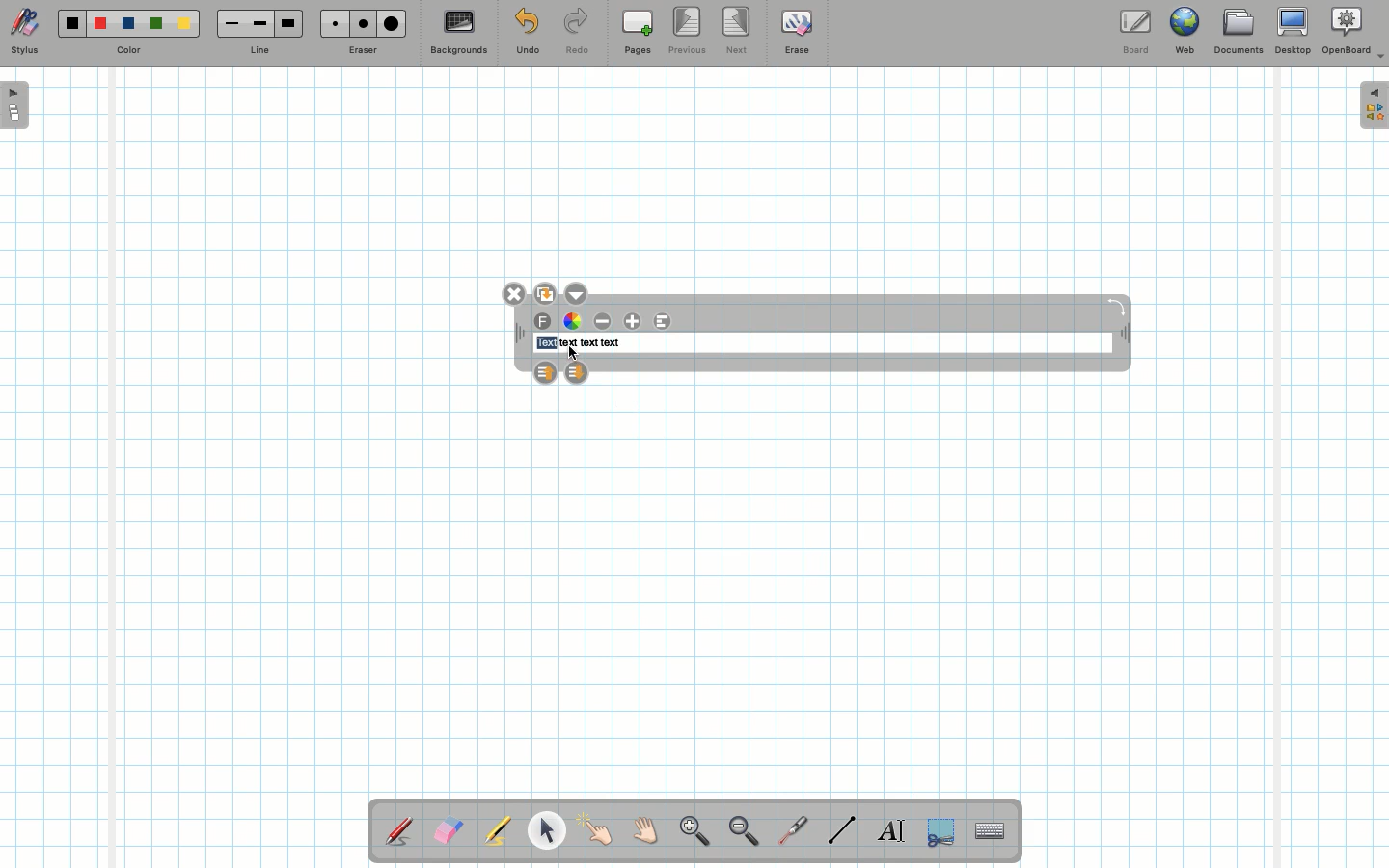 Image resolution: width=1389 pixels, height=868 pixels. Describe the element at coordinates (1184, 35) in the screenshot. I see `Web` at that location.